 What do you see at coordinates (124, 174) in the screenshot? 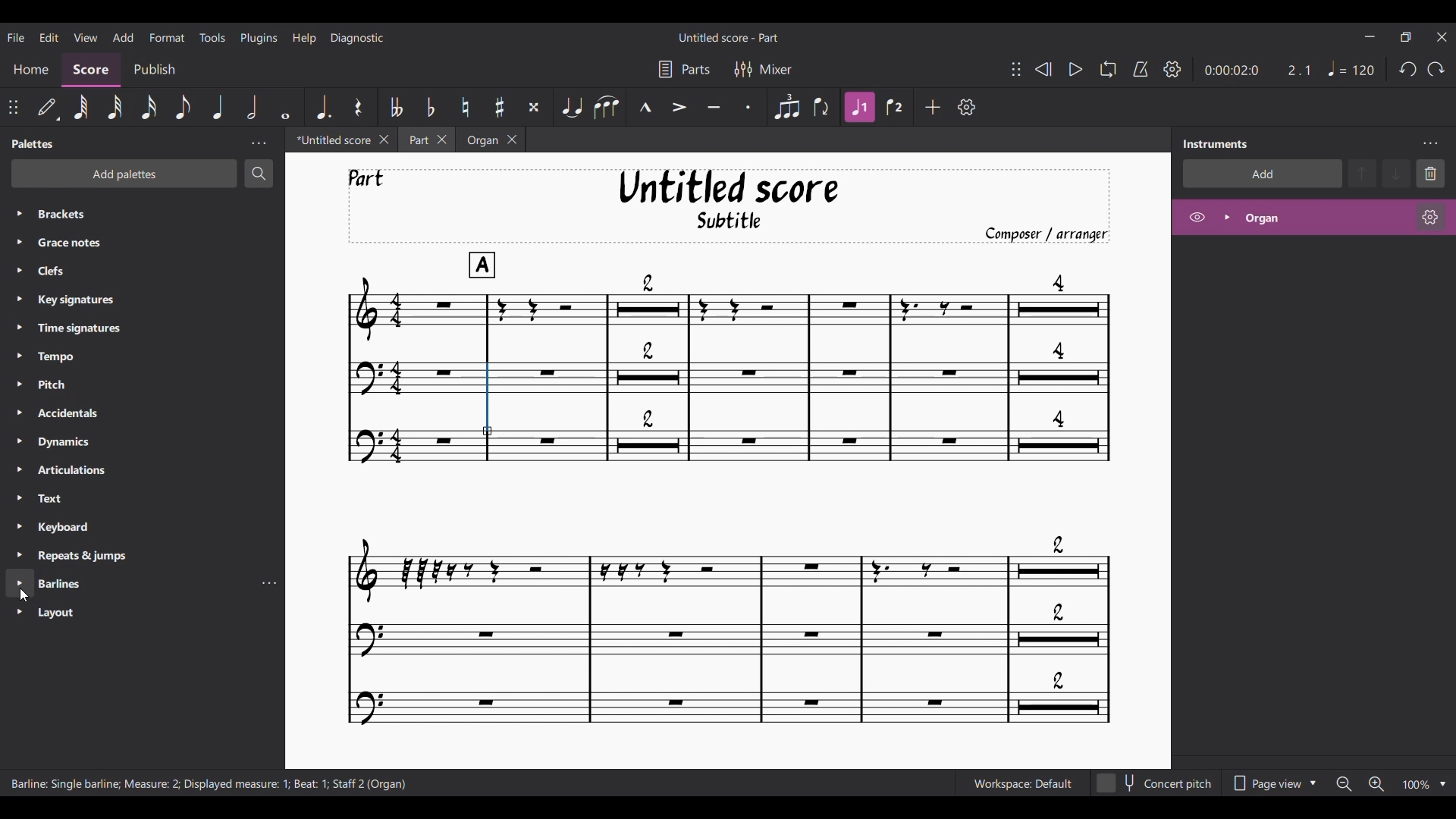
I see `Add palette` at bounding box center [124, 174].